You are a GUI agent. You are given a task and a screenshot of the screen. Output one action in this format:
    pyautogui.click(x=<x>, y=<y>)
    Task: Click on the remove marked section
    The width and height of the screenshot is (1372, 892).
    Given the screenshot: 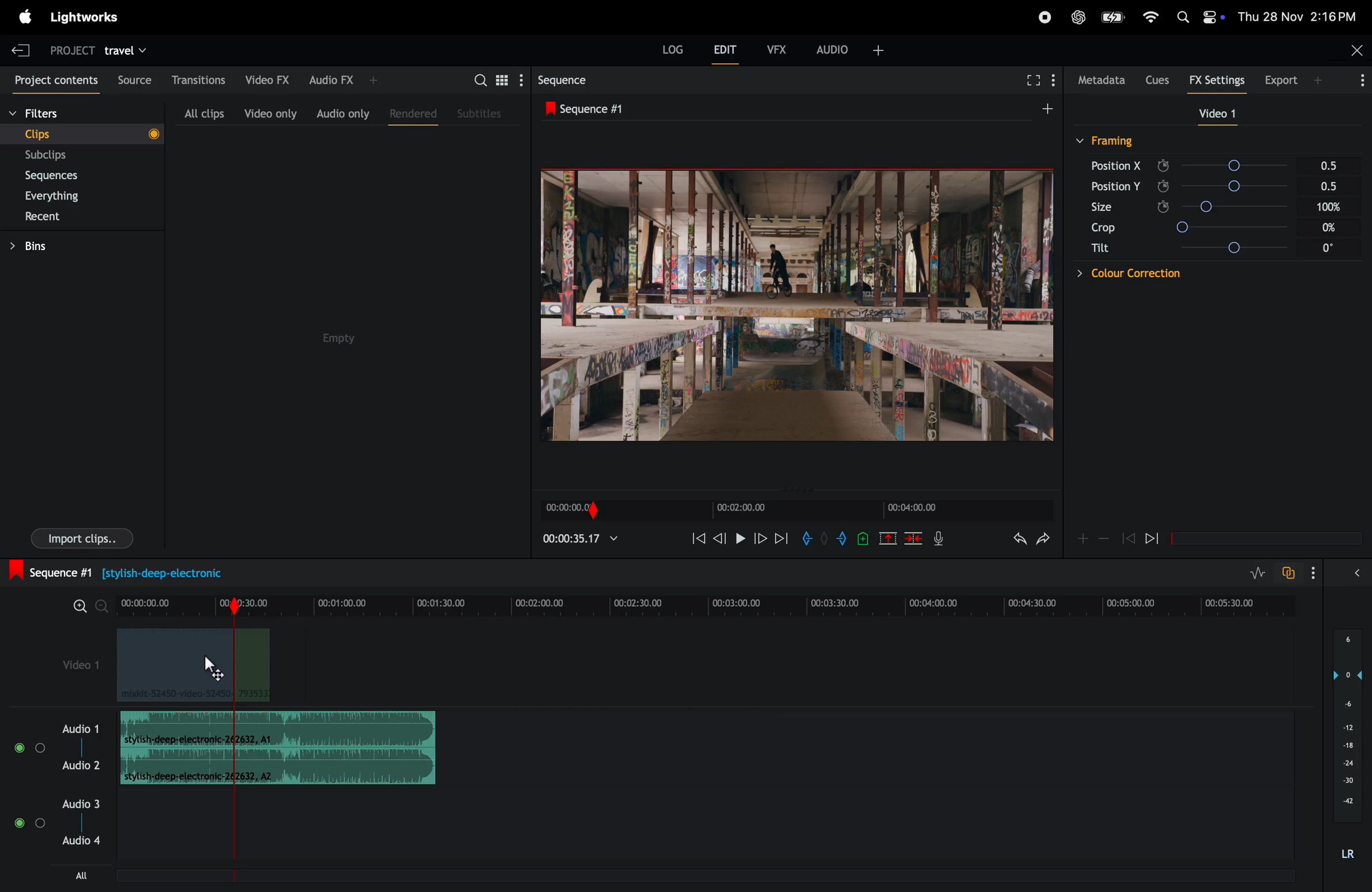 What is the action you would take?
    pyautogui.click(x=889, y=538)
    